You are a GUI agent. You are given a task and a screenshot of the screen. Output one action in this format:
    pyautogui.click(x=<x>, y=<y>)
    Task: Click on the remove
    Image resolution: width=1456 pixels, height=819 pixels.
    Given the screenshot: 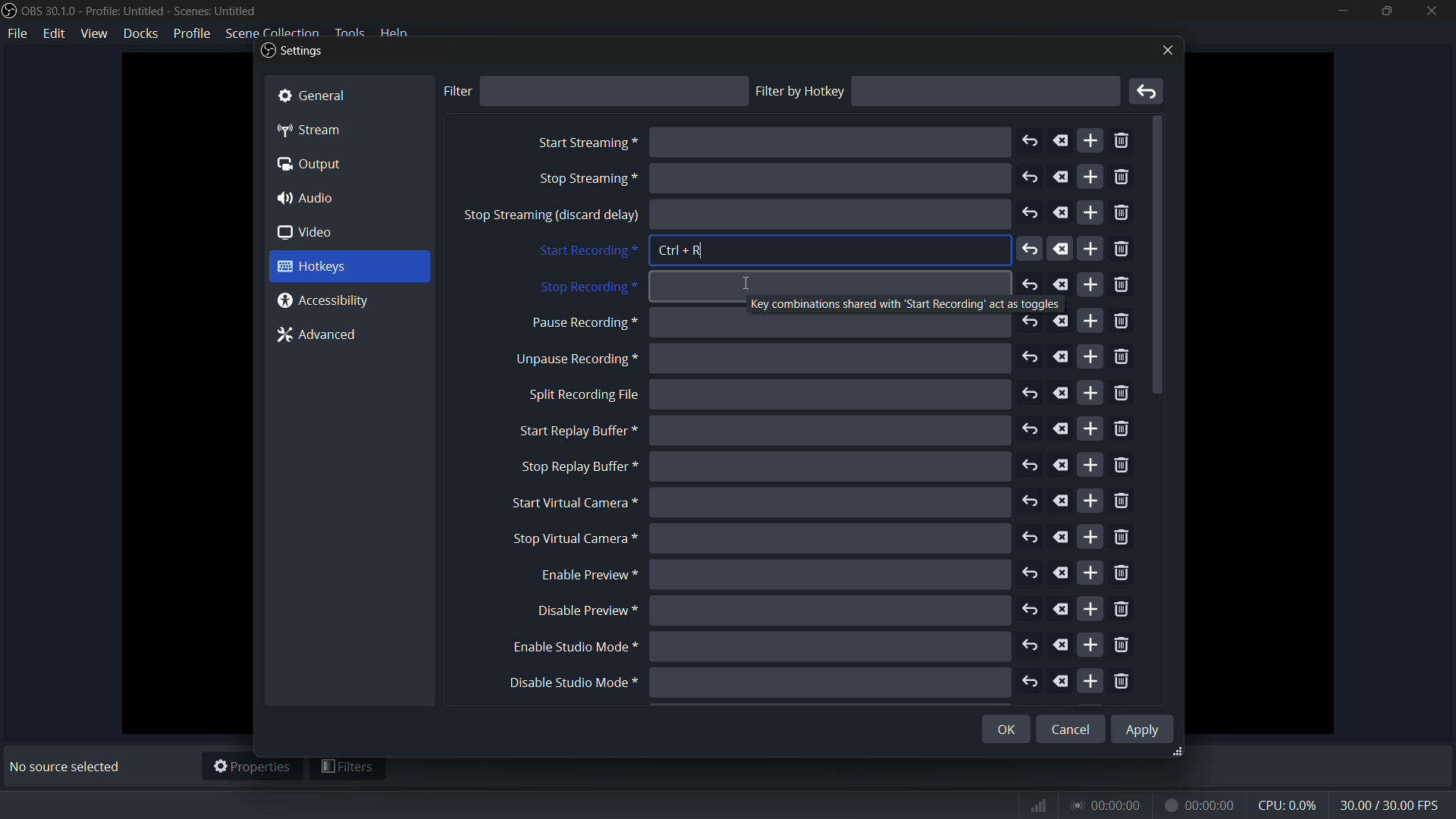 What is the action you would take?
    pyautogui.click(x=1121, y=359)
    